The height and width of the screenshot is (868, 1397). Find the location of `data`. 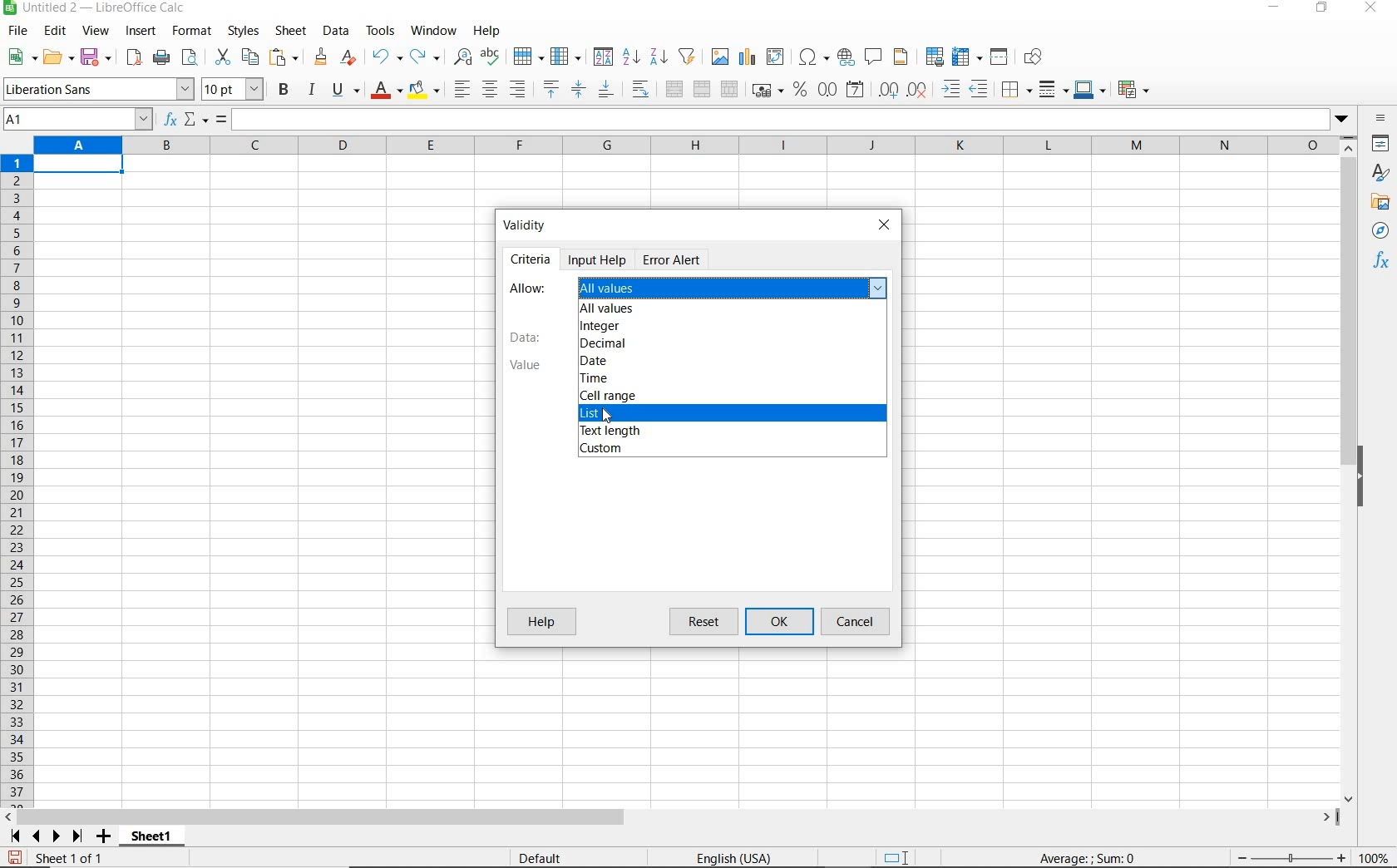

data is located at coordinates (335, 30).